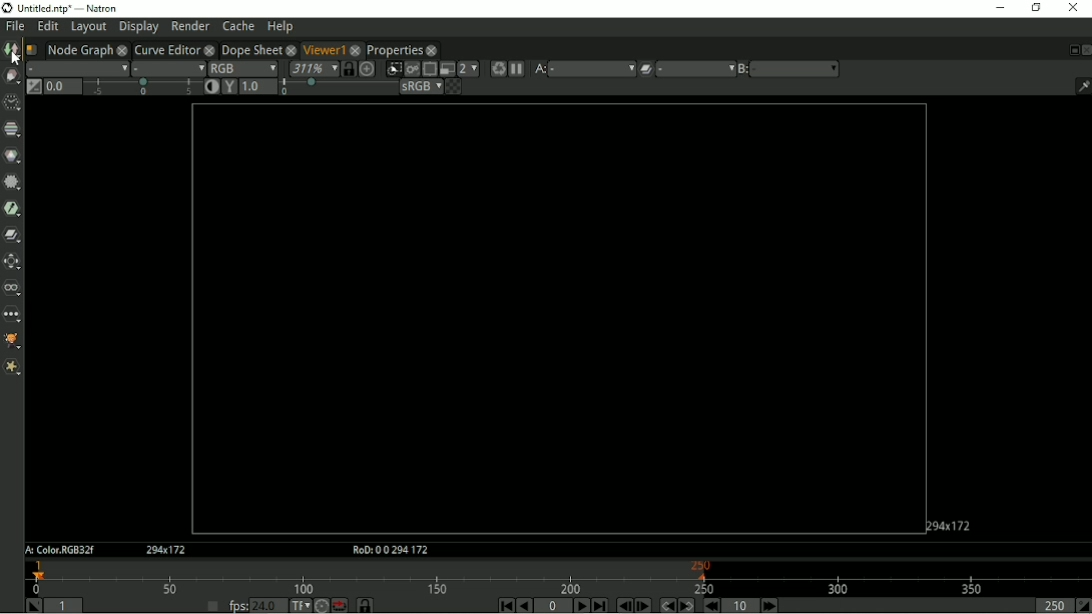  What do you see at coordinates (12, 342) in the screenshot?
I see `GMIC` at bounding box center [12, 342].